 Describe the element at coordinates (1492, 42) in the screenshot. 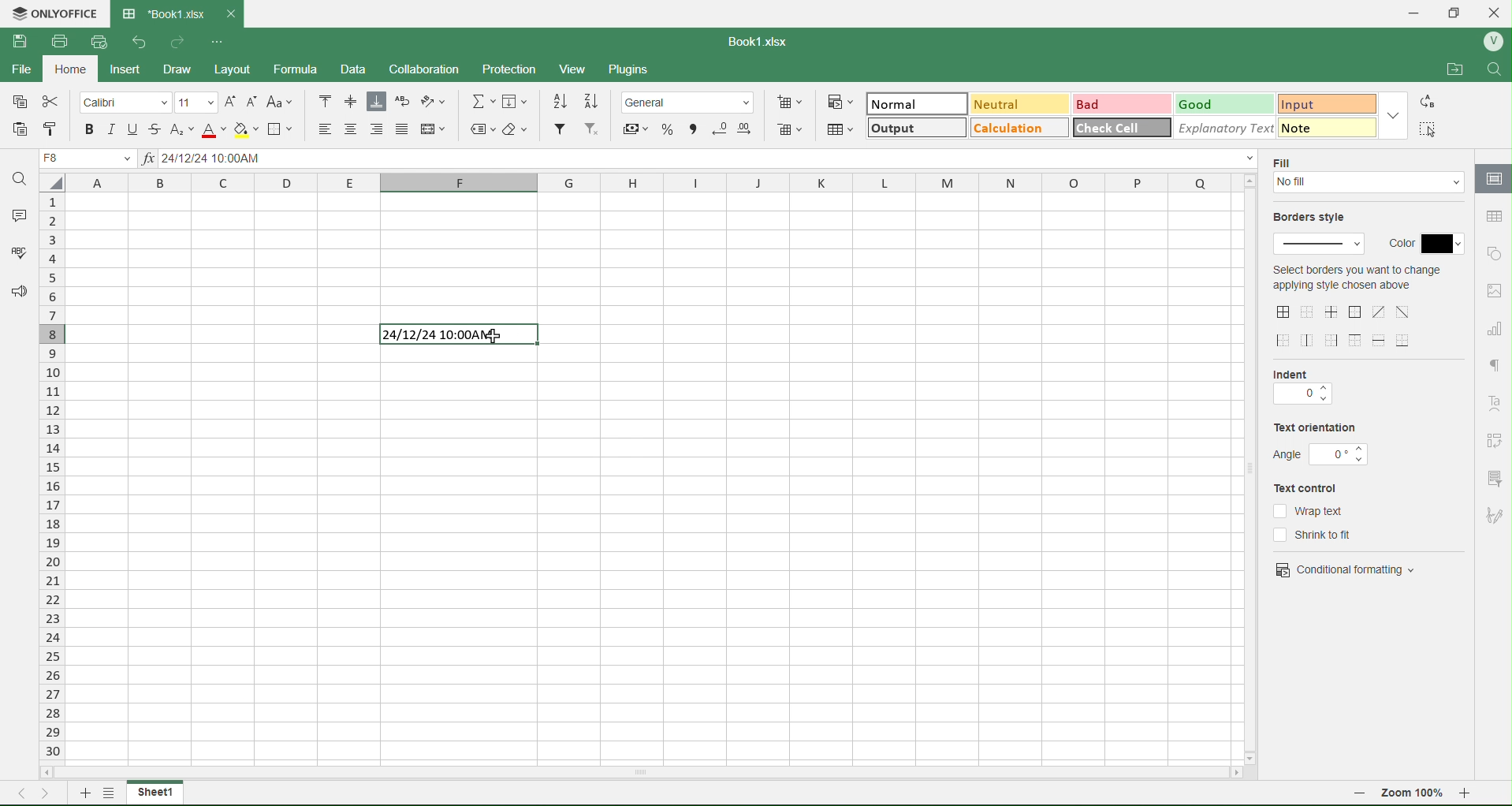

I see `User` at that location.